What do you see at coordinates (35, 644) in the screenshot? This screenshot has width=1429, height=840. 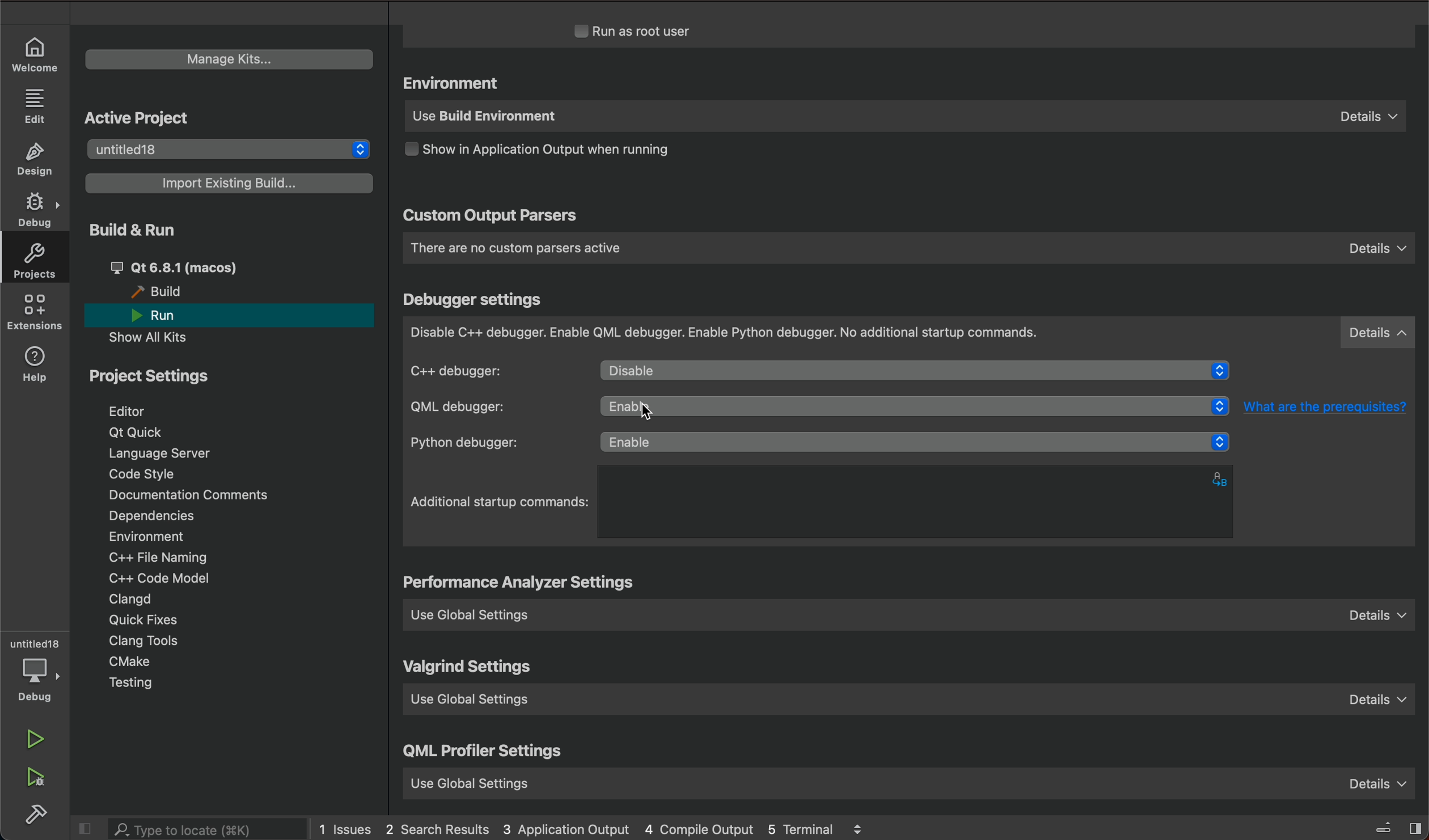 I see `untitled` at bounding box center [35, 644].